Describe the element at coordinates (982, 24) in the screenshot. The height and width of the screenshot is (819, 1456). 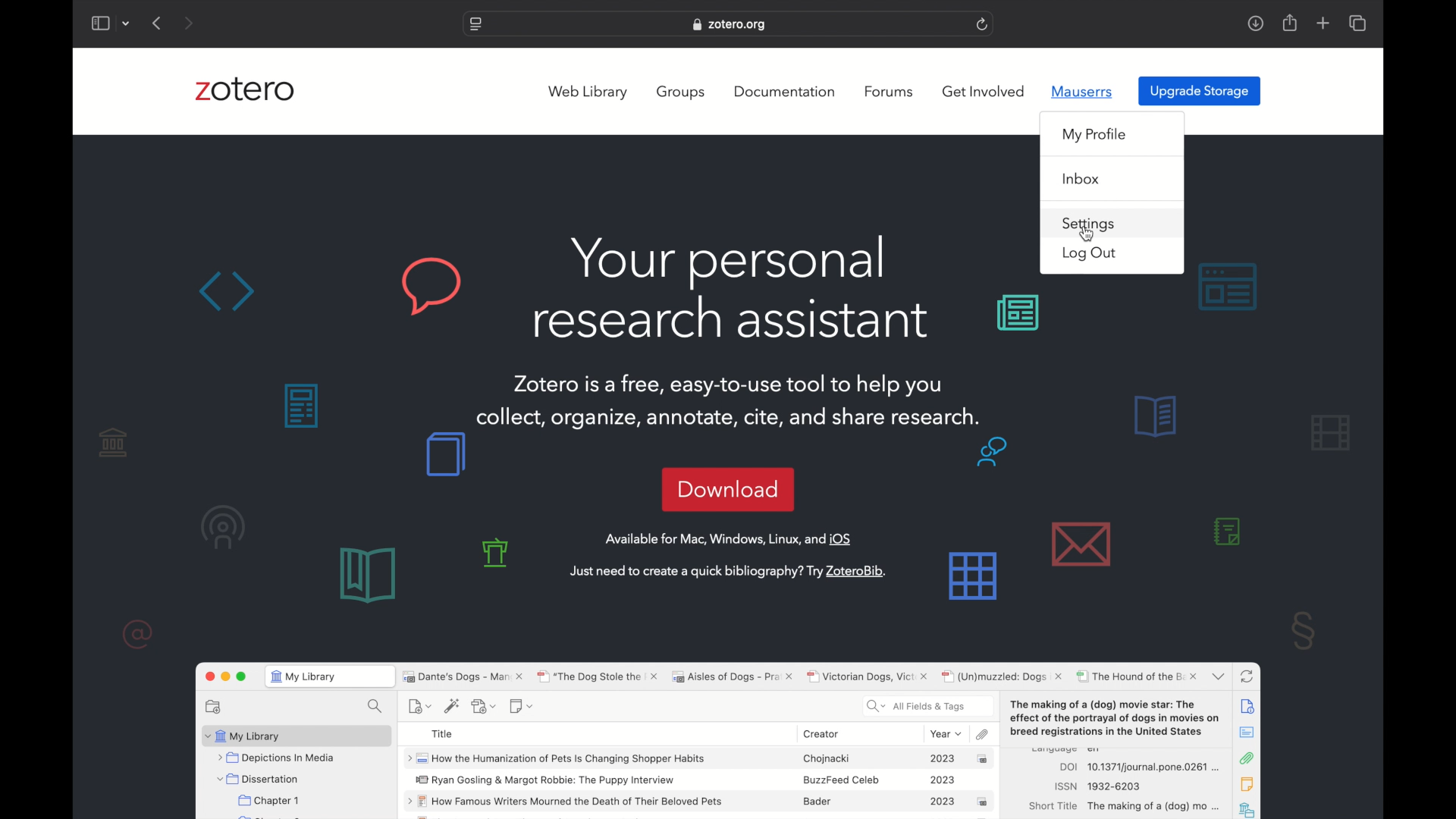
I see `refresh` at that location.